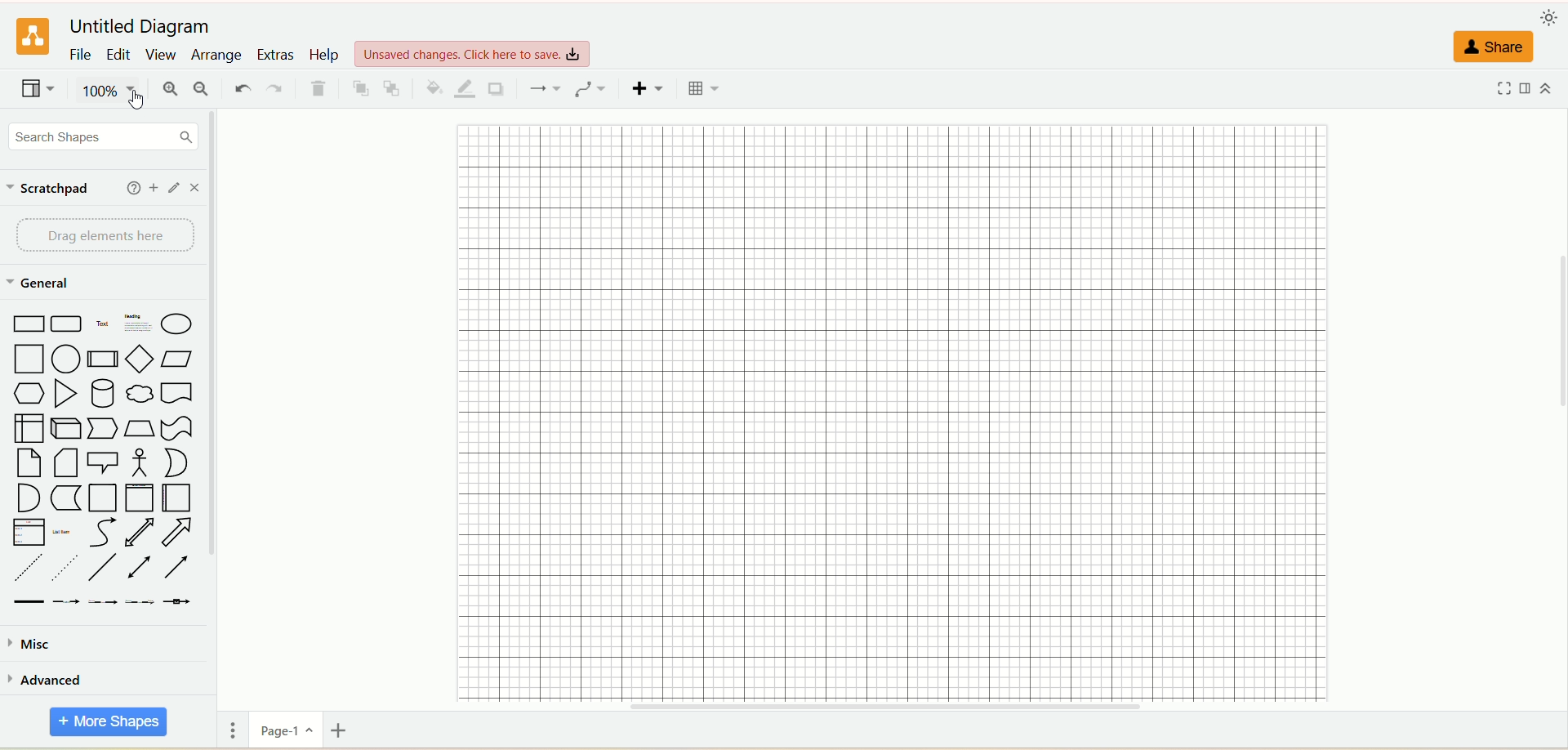  What do you see at coordinates (176, 323) in the screenshot?
I see `ellipse` at bounding box center [176, 323].